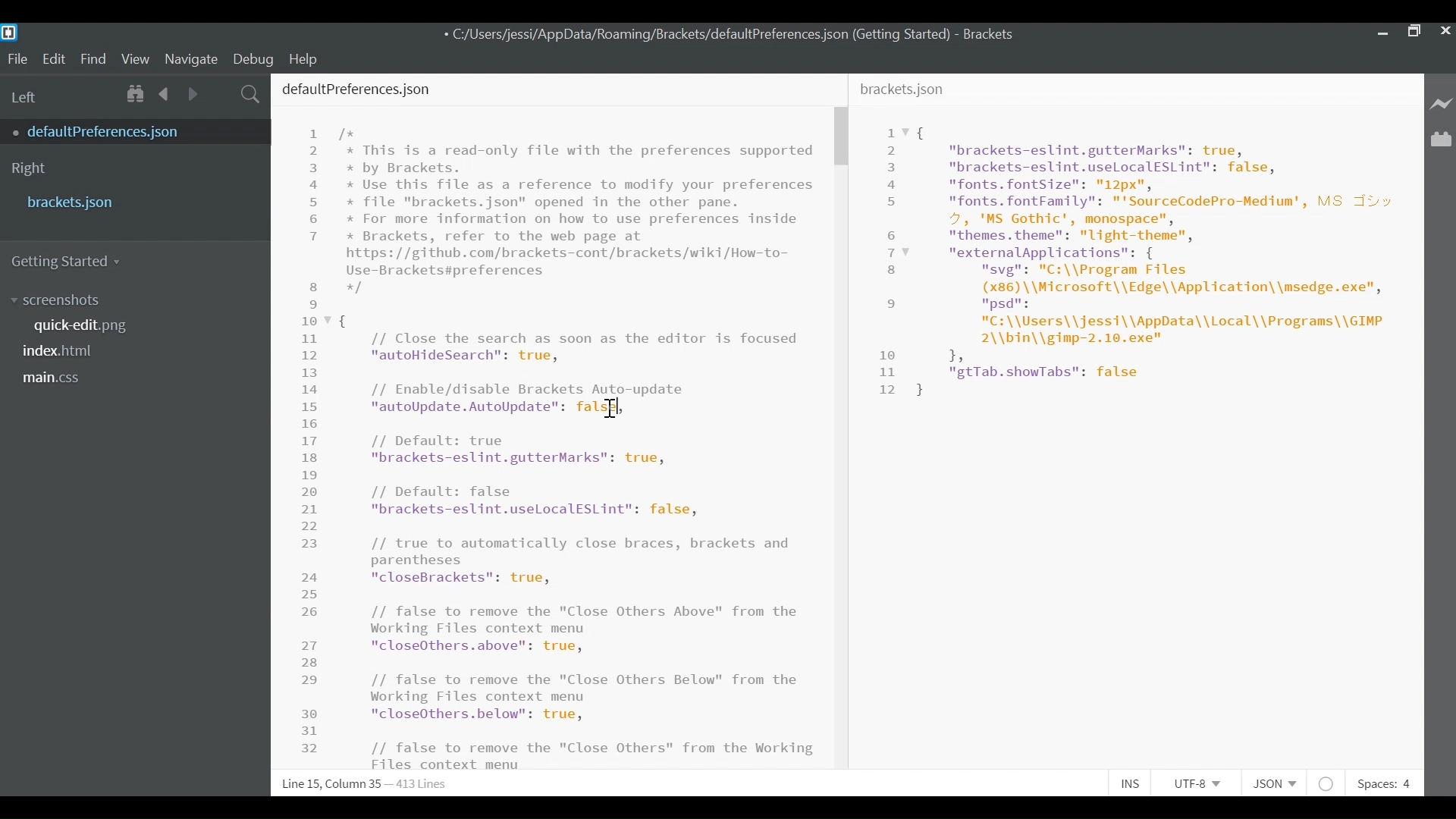 The width and height of the screenshot is (1456, 819). I want to click on main.css, so click(53, 378).